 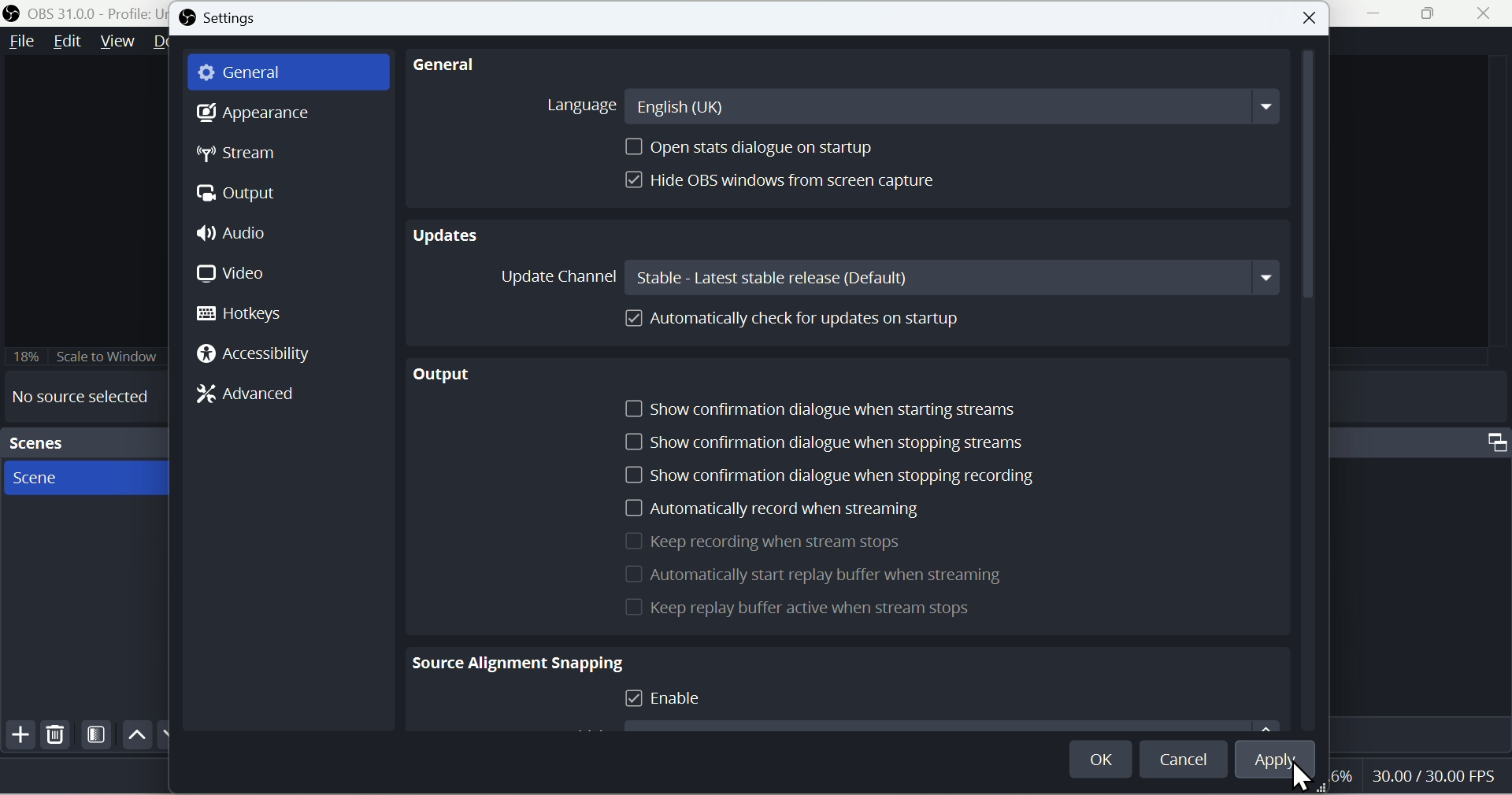 What do you see at coordinates (799, 611) in the screenshot?
I see `Keep Replay for active when is stream stops` at bounding box center [799, 611].